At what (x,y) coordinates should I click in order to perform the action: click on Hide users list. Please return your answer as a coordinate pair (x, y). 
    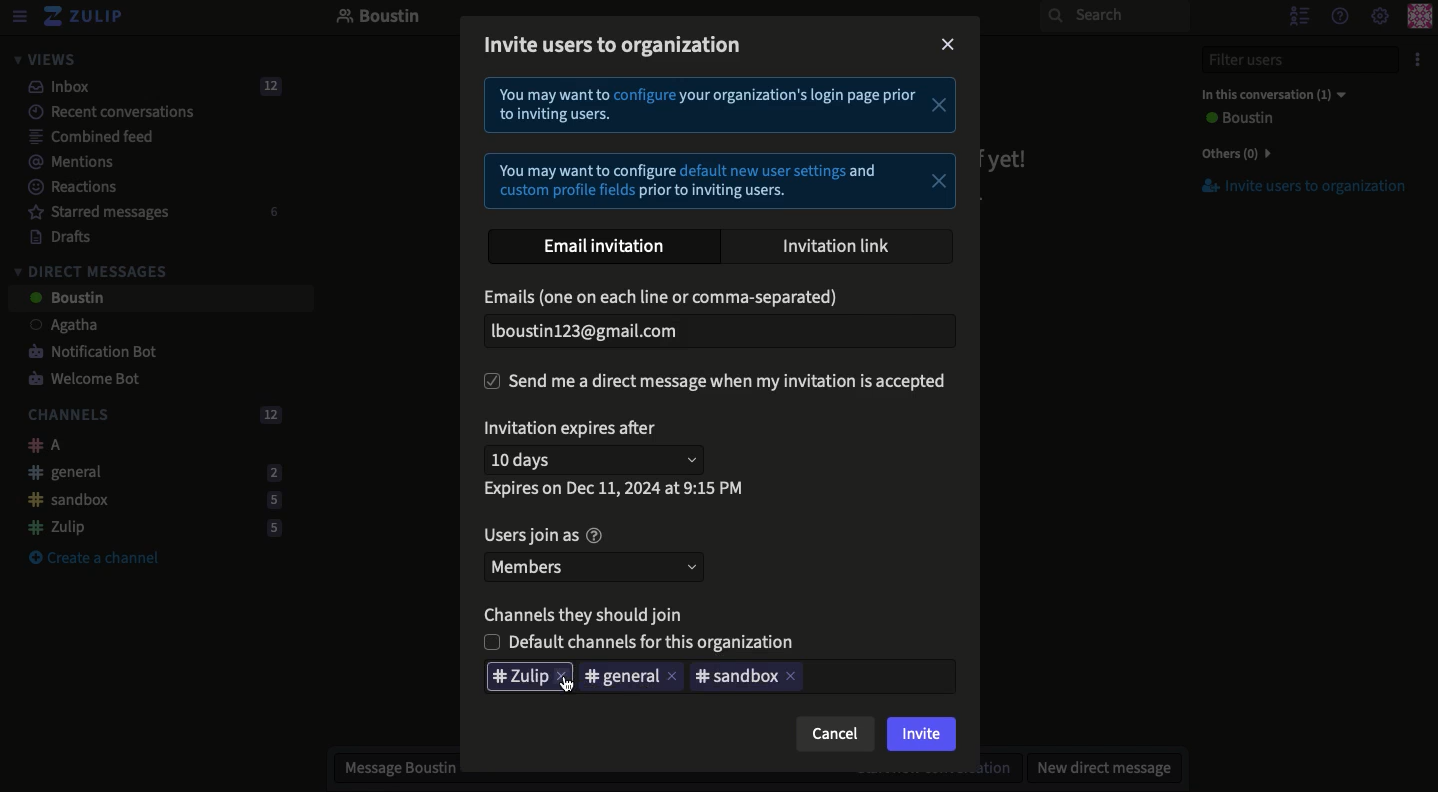
    Looking at the image, I should click on (1297, 15).